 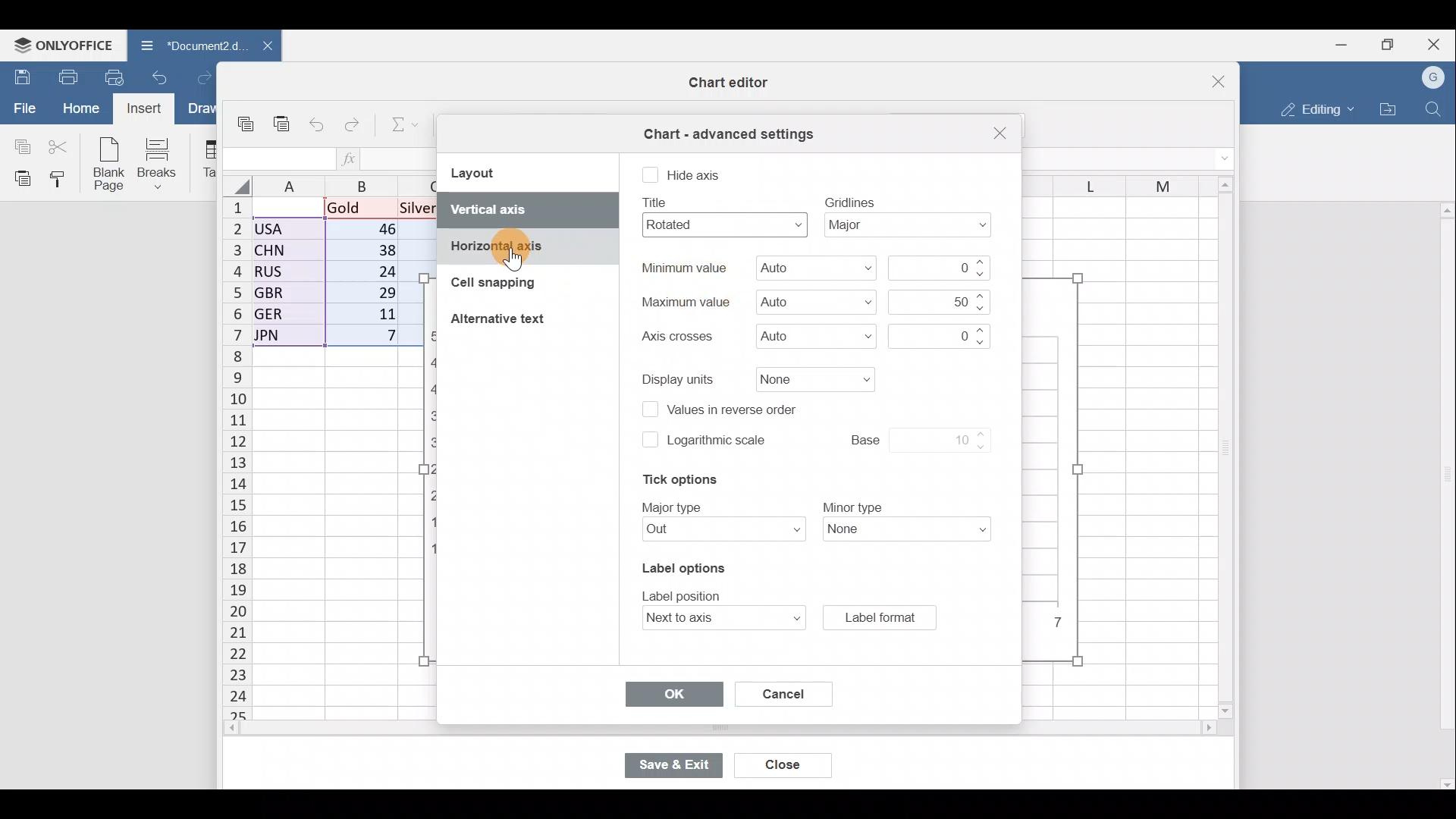 I want to click on Blank page, so click(x=111, y=165).